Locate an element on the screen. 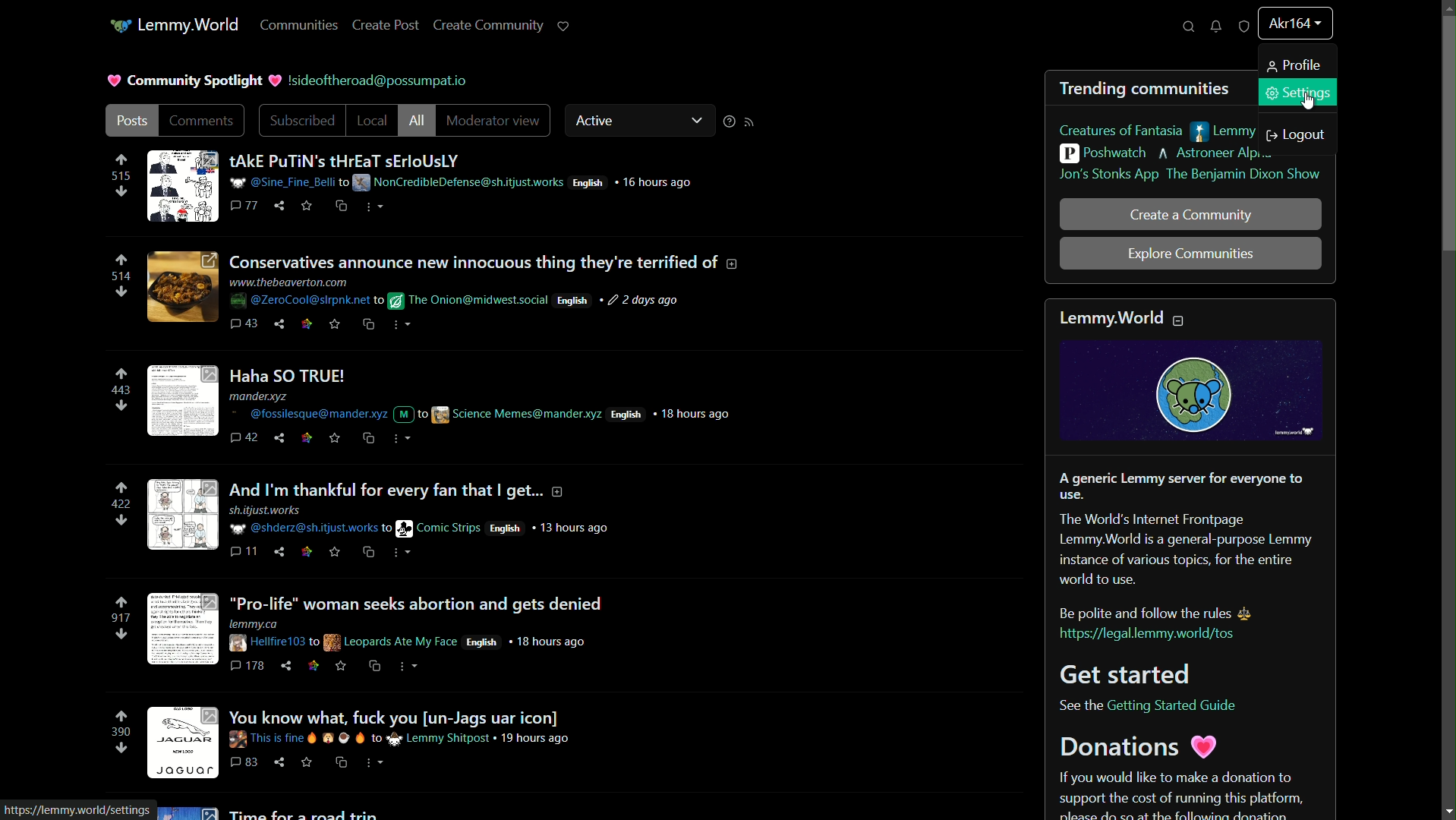 The height and width of the screenshot is (820, 1456). number of votes is located at coordinates (120, 619).